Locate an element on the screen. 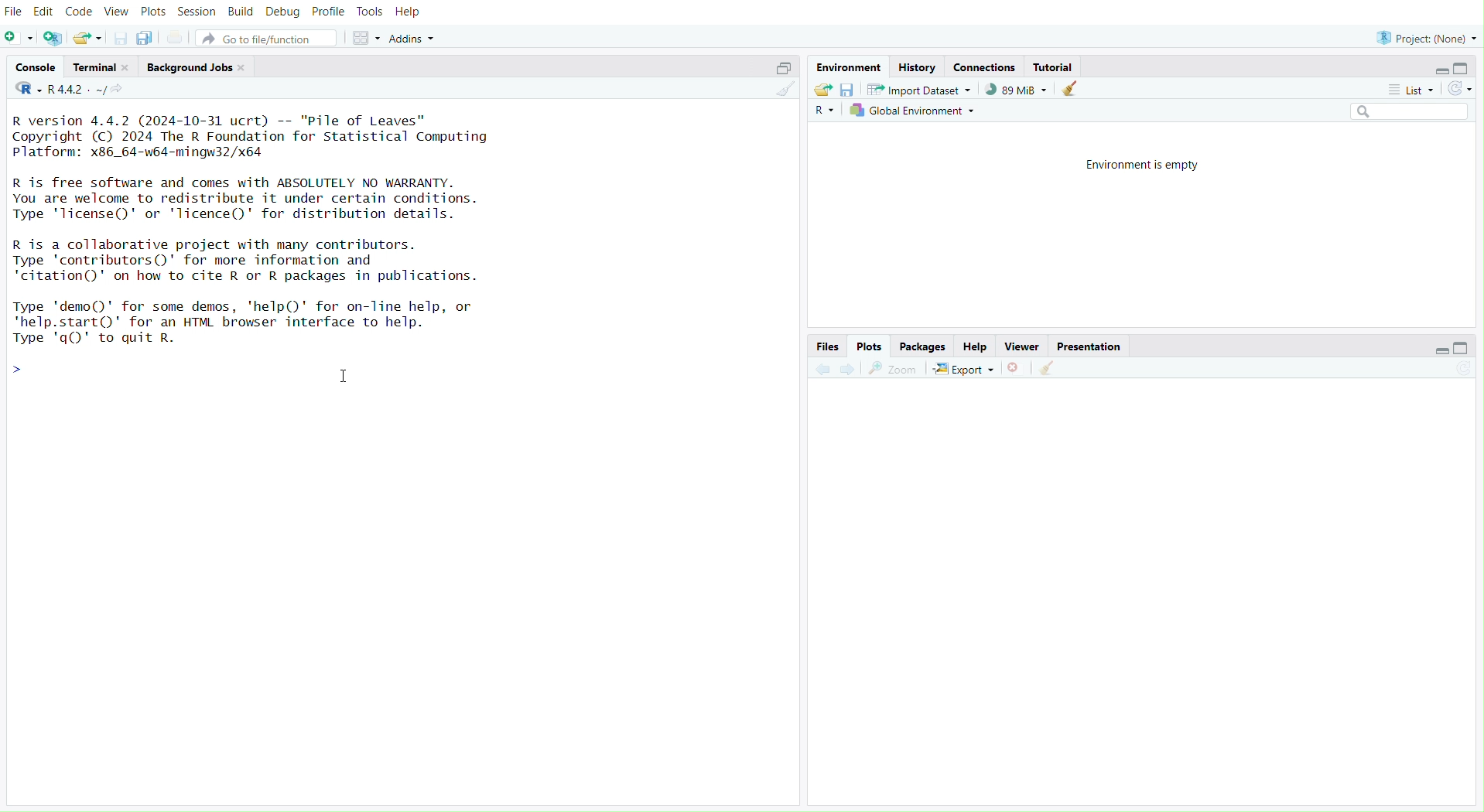  Global Environment is located at coordinates (915, 111).